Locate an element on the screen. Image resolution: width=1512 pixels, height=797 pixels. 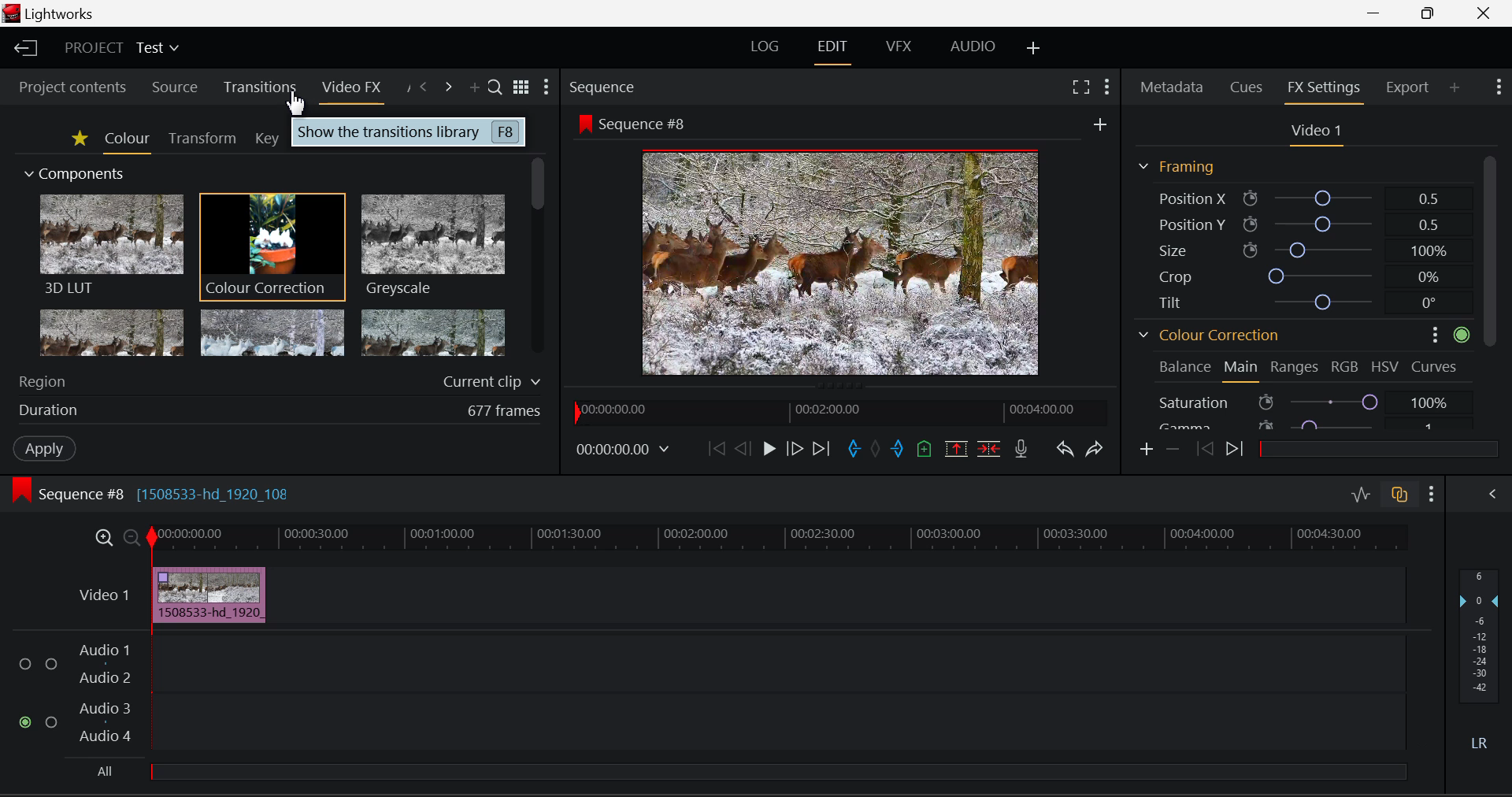
Sequence Preview Section is located at coordinates (606, 88).